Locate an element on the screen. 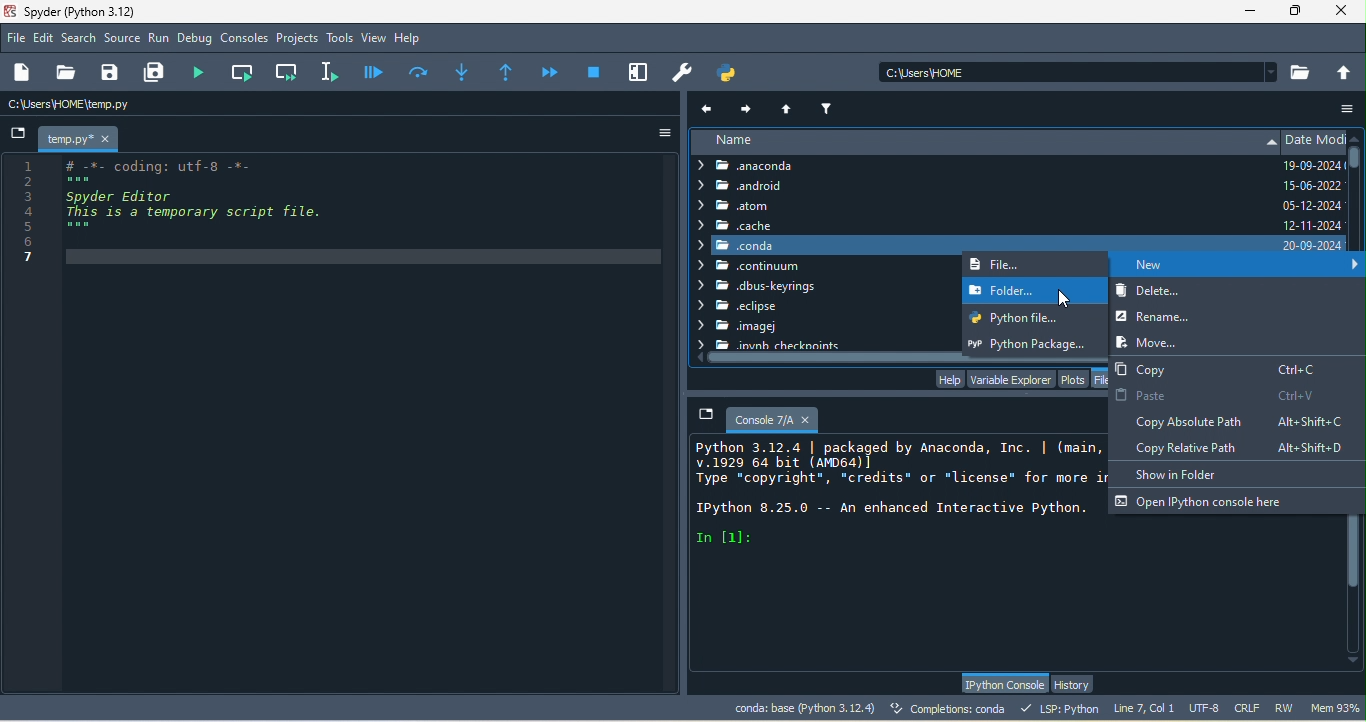 This screenshot has height=722, width=1366. copy absolute path is located at coordinates (1232, 420).